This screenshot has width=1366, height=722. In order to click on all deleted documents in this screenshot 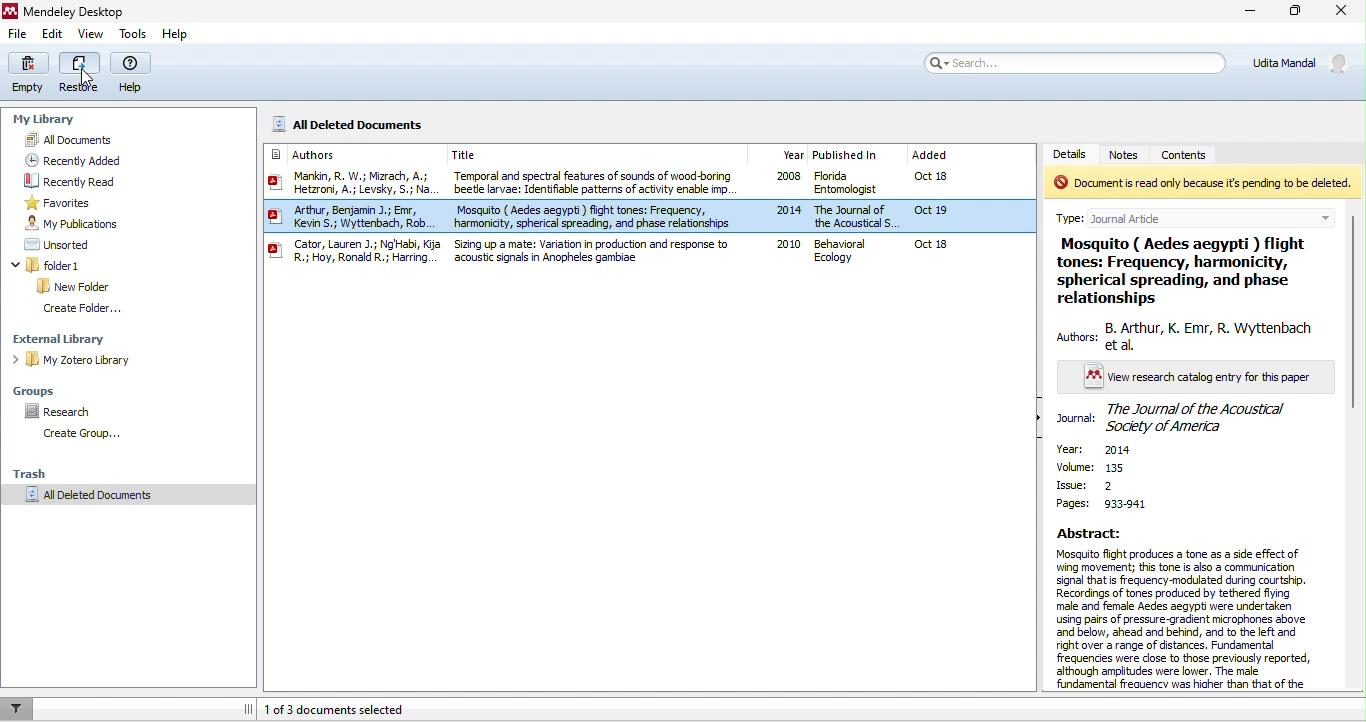, I will do `click(112, 499)`.